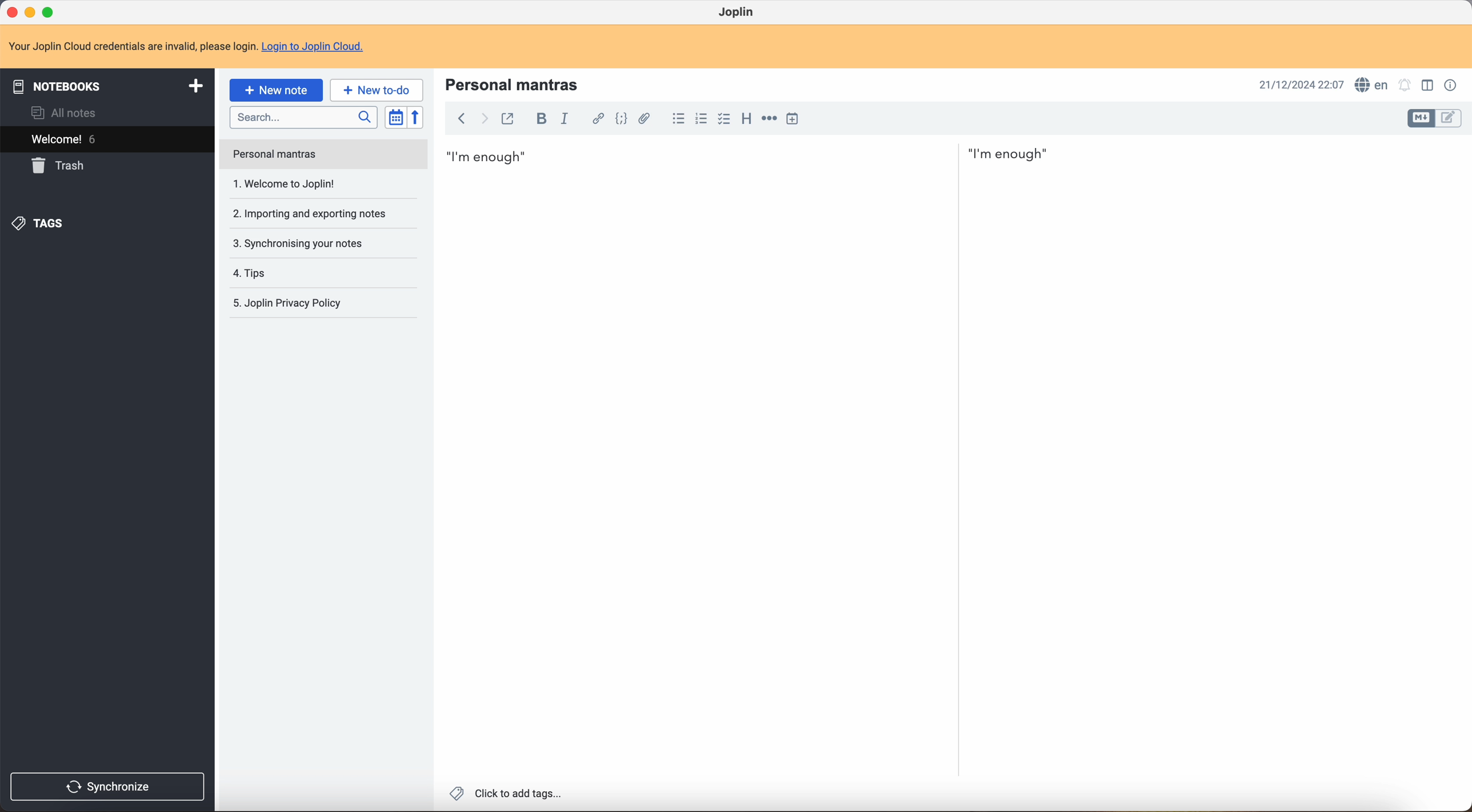 The height and width of the screenshot is (812, 1472). I want to click on click on new note, so click(277, 91).